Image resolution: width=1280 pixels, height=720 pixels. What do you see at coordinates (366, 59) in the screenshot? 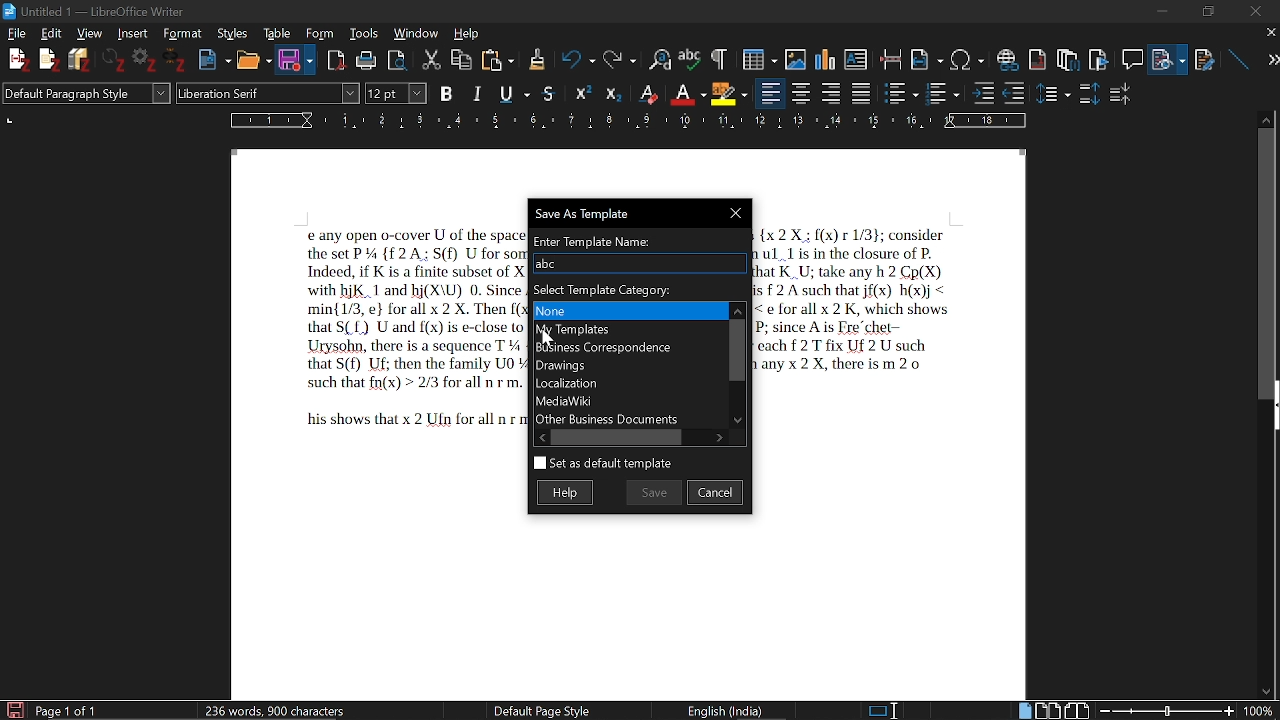
I see `print` at bounding box center [366, 59].